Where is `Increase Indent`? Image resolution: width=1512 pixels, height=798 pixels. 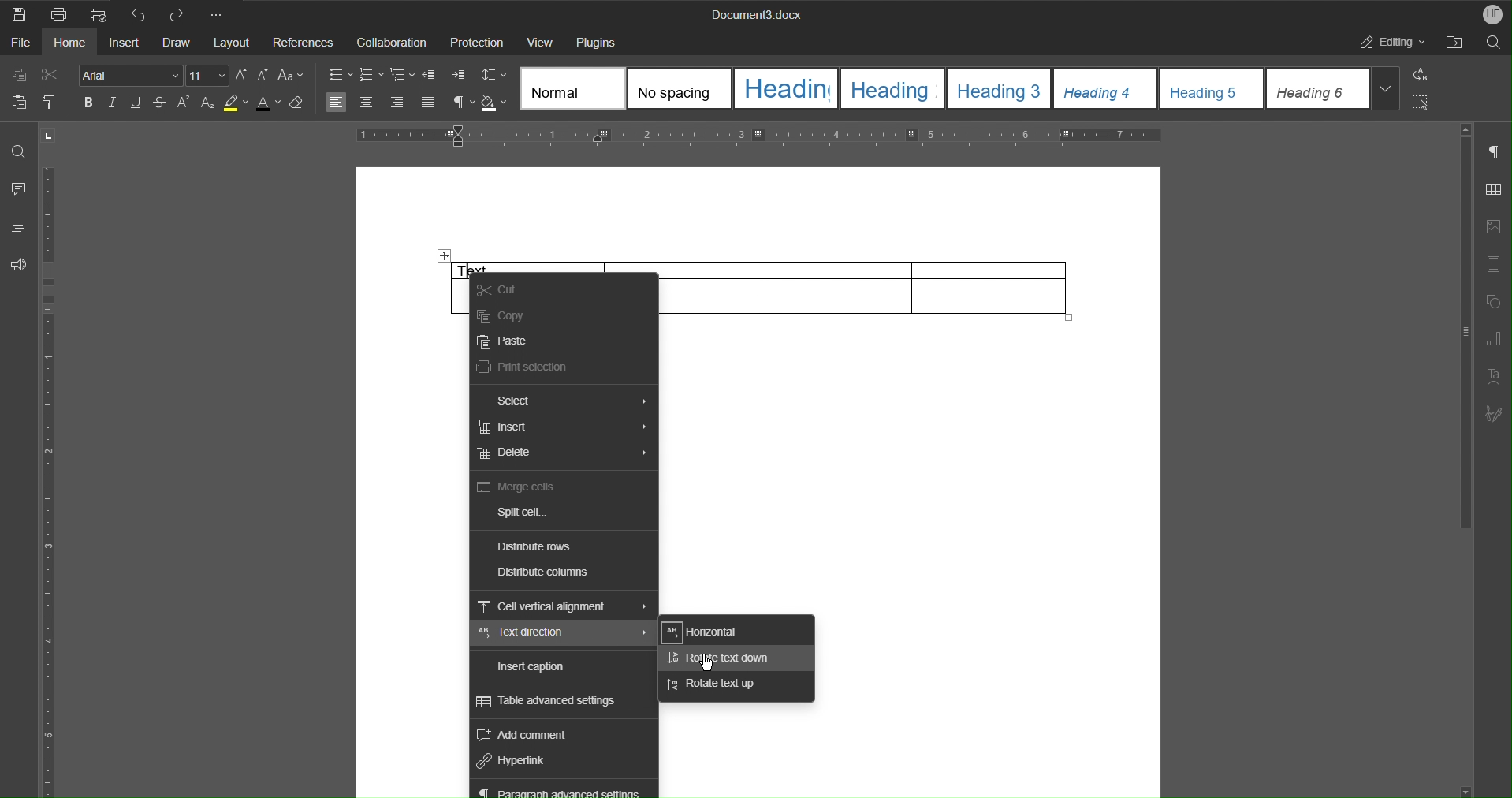
Increase Indent is located at coordinates (460, 76).